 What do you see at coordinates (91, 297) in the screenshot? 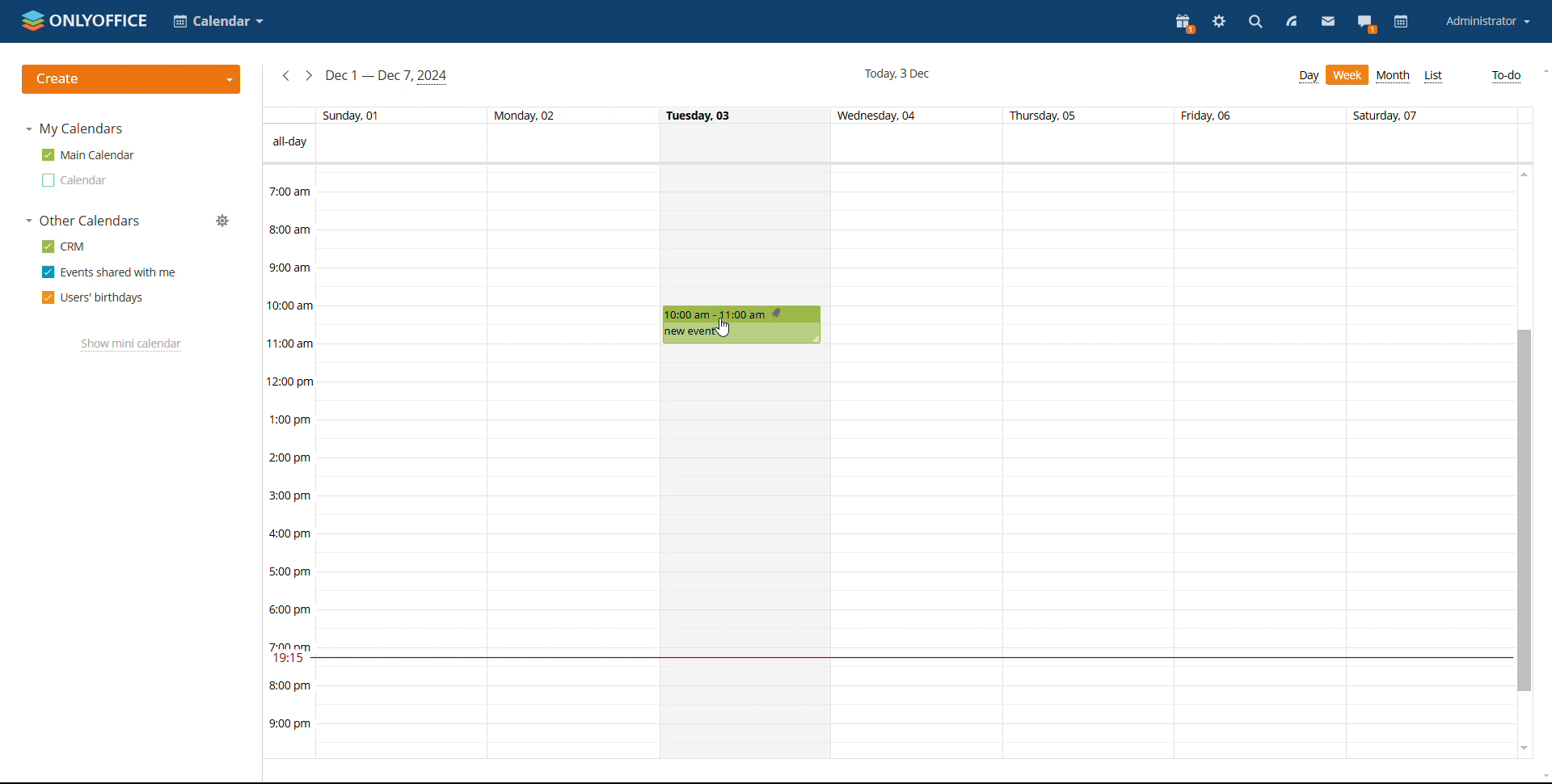
I see `Users' birthdays` at bounding box center [91, 297].